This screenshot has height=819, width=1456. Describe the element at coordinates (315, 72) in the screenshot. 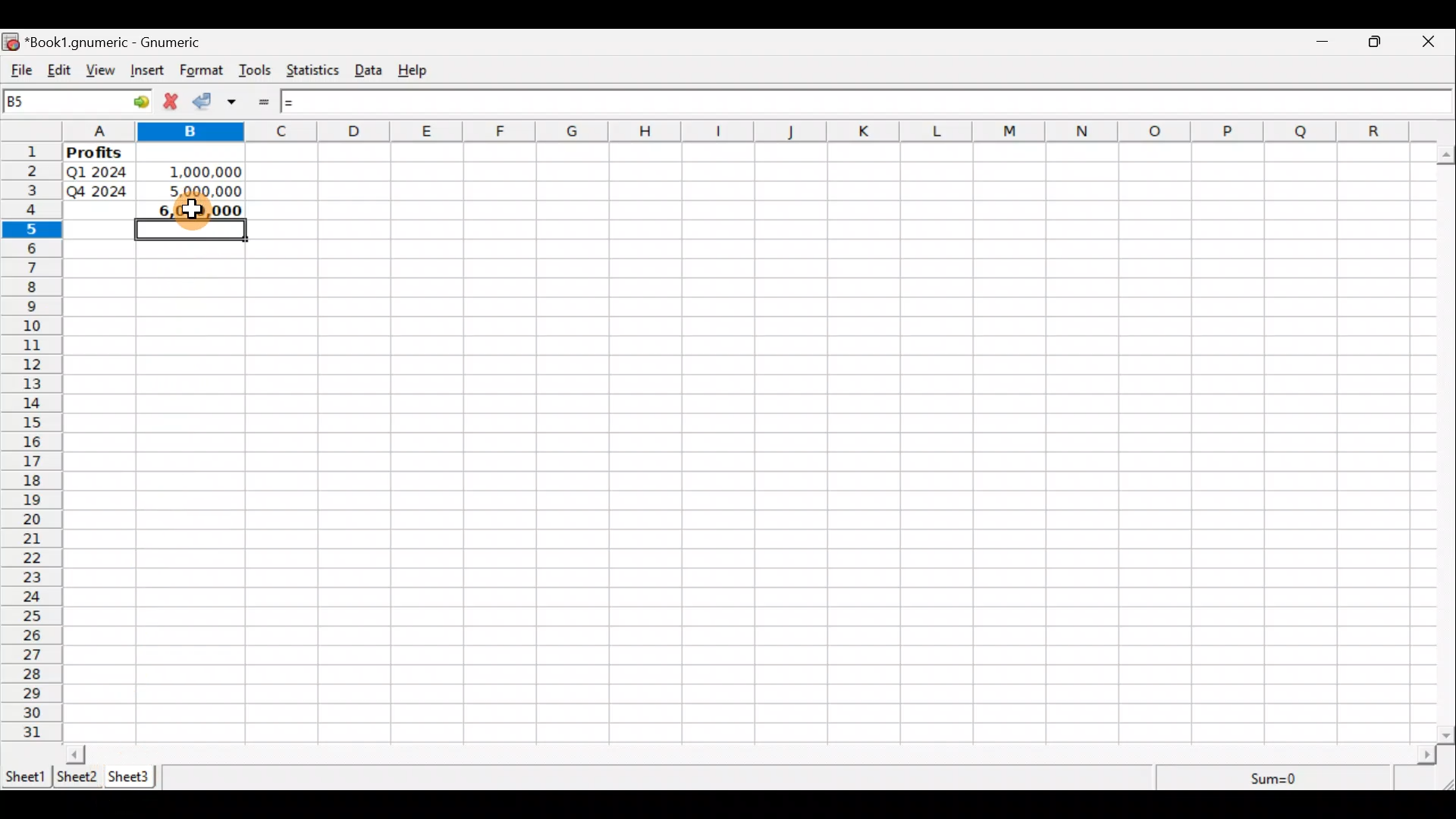

I see `Statistics` at that location.